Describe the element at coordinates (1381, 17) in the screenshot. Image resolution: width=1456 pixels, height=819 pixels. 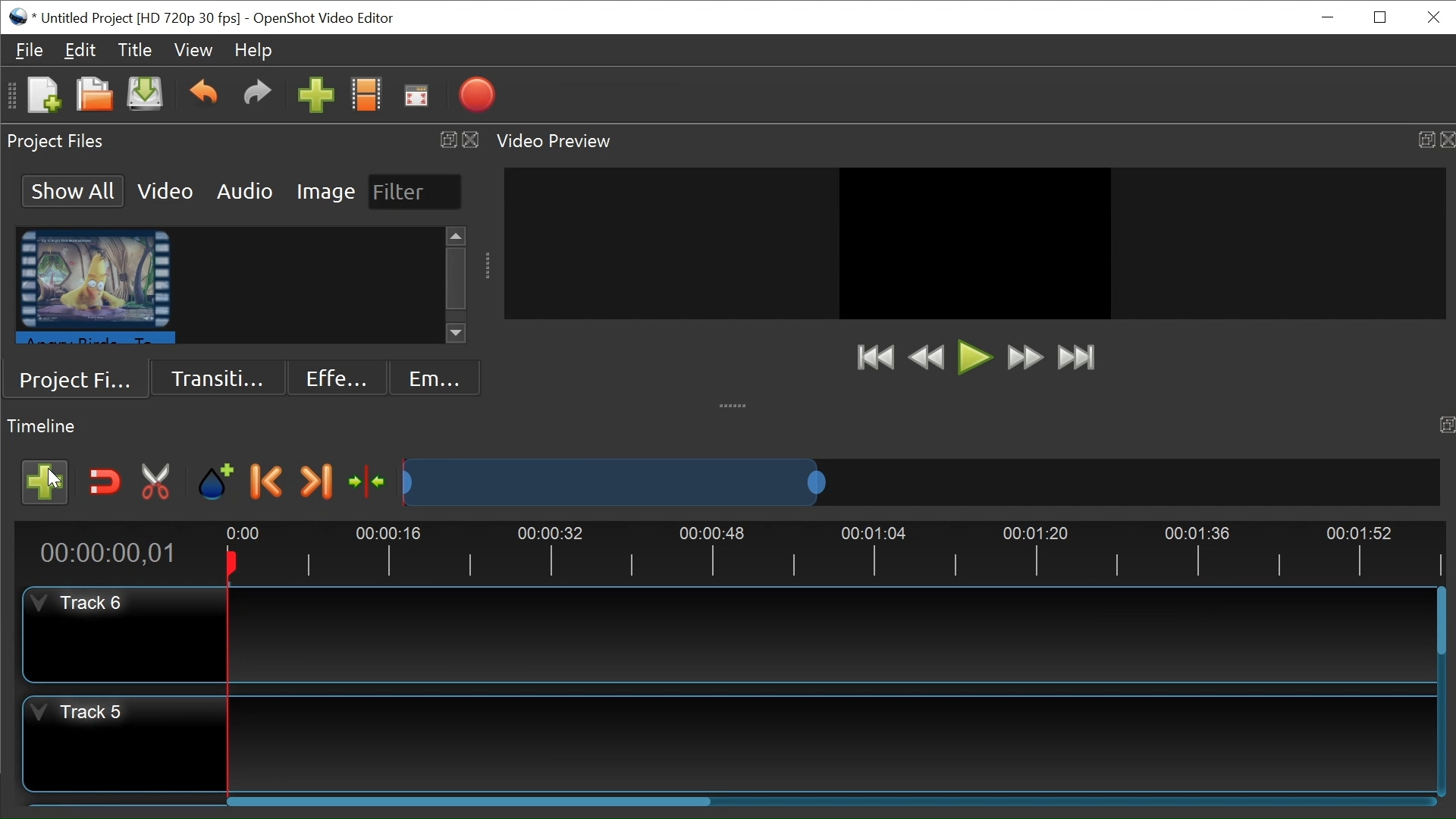
I see `Restore` at that location.